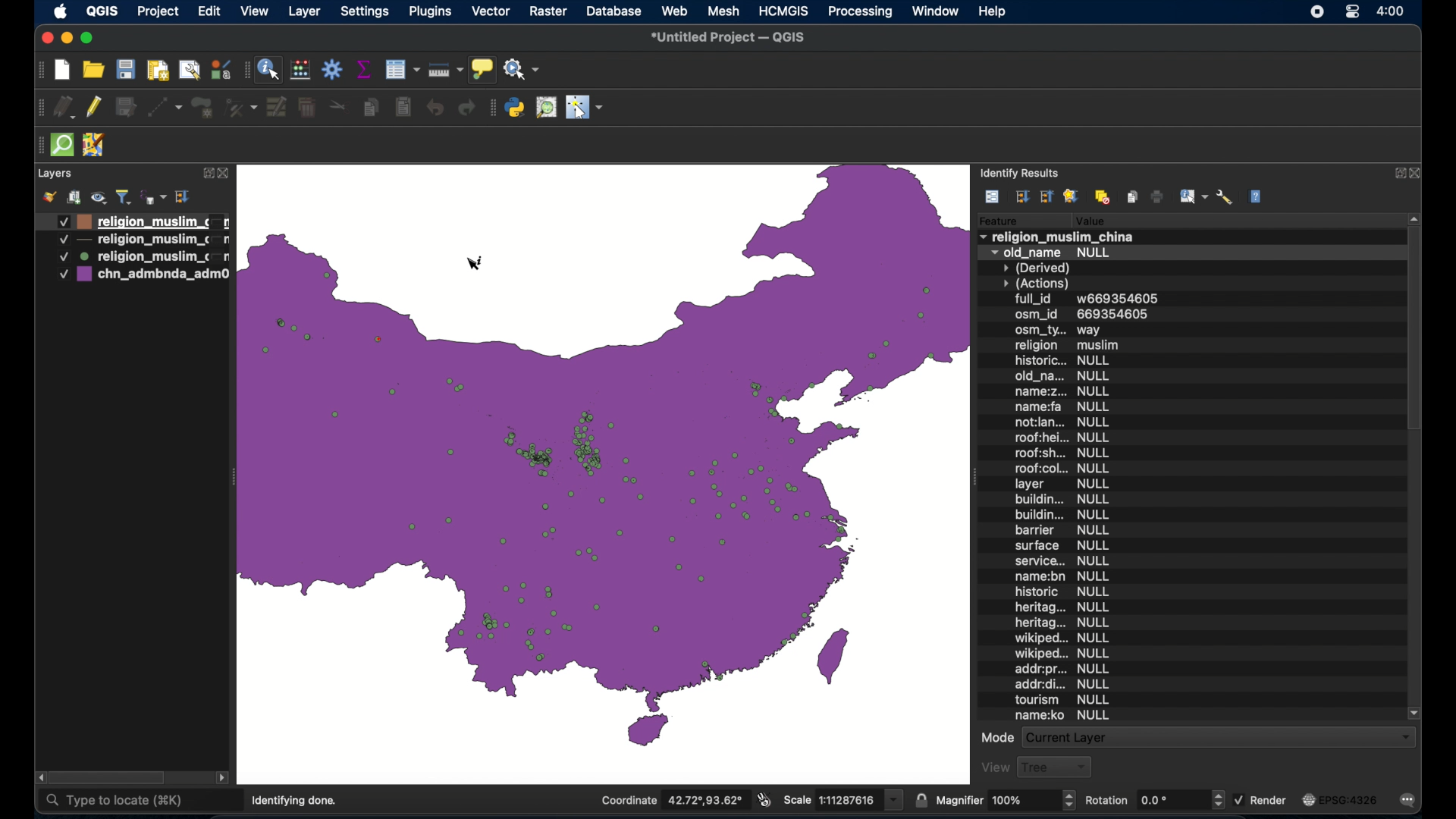 The image size is (1456, 819). I want to click on show map tips, so click(484, 69).